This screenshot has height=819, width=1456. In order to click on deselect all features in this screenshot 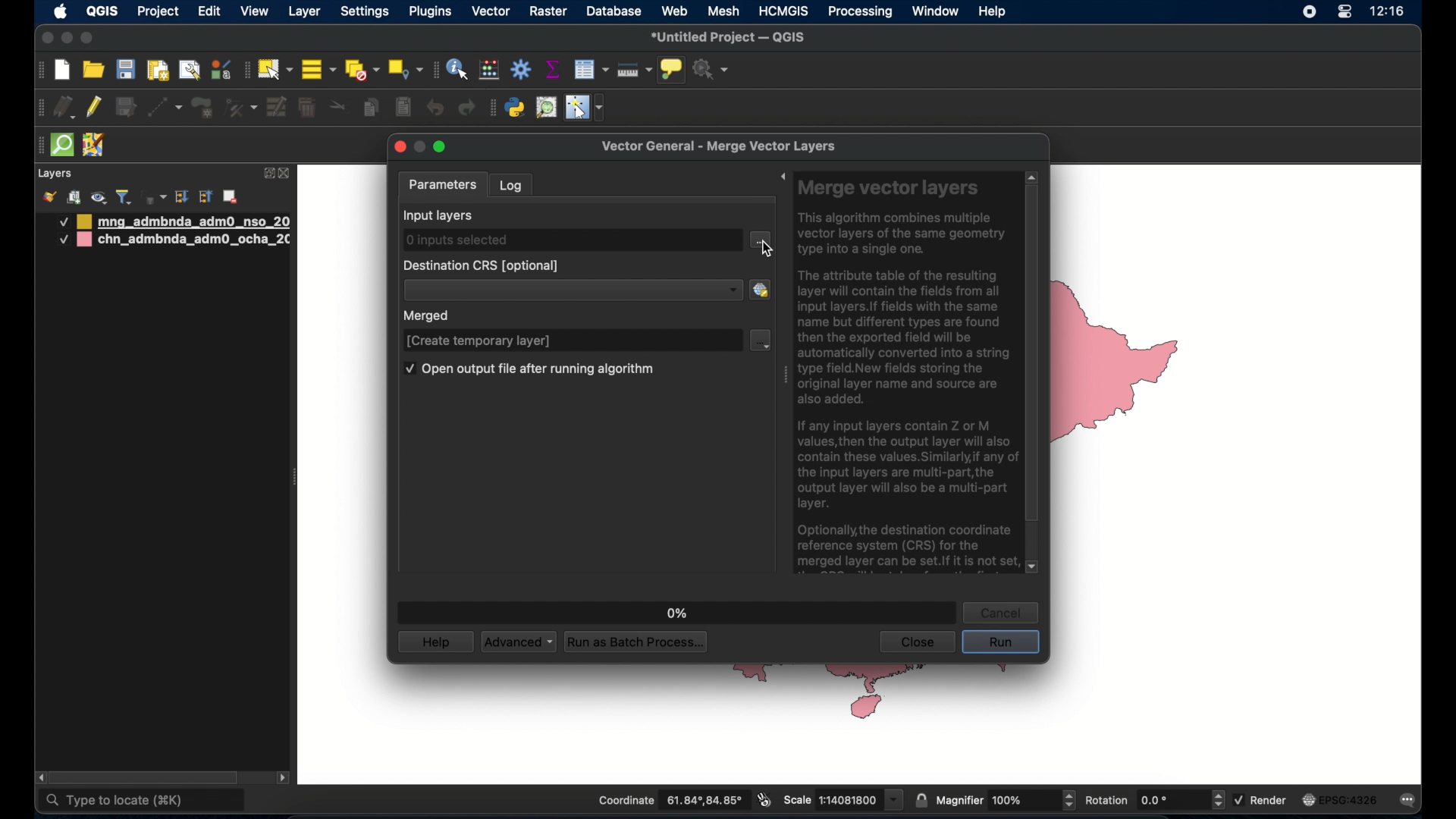, I will do `click(362, 71)`.